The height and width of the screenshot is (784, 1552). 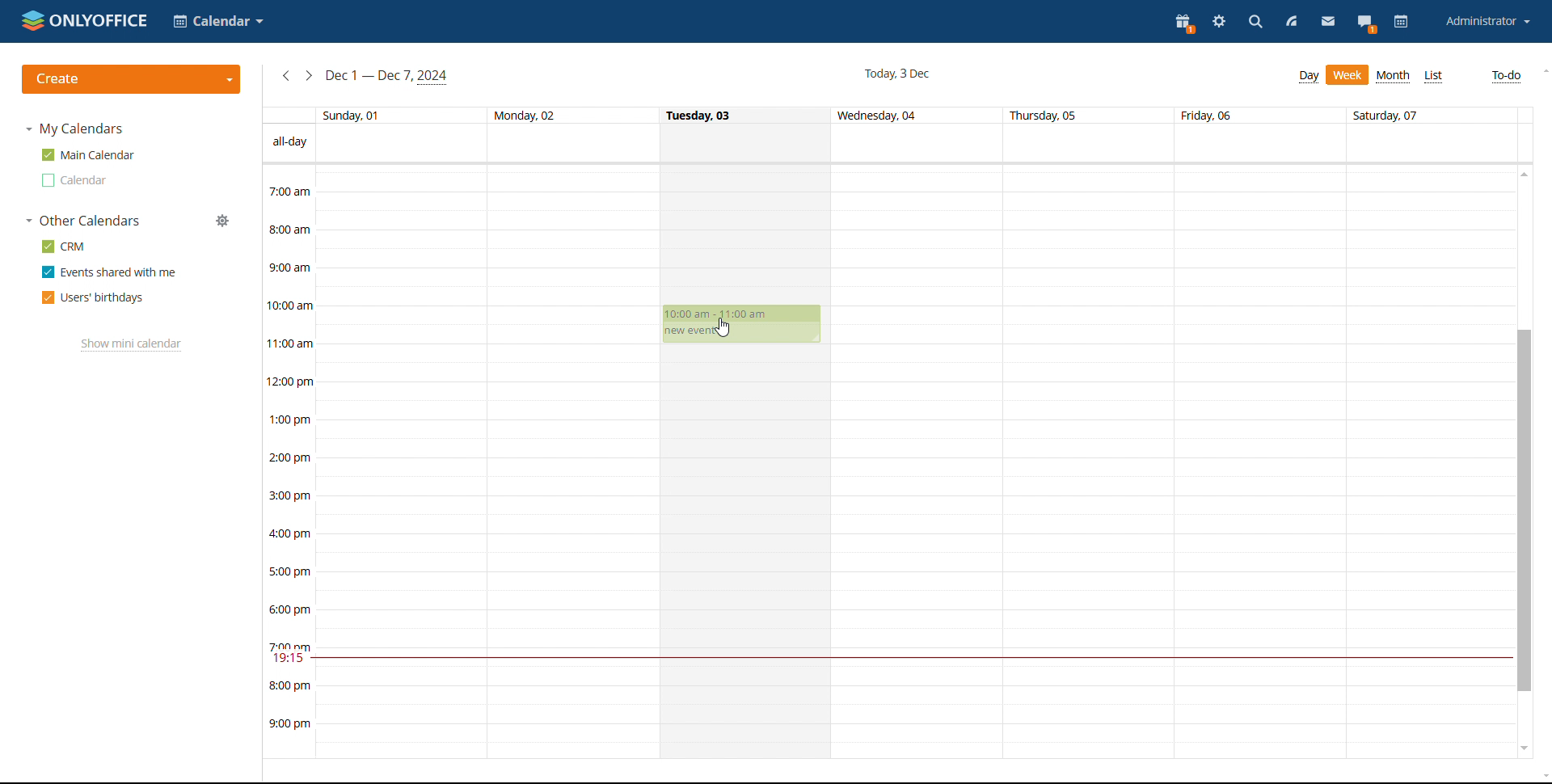 I want to click on search, so click(x=1255, y=22).